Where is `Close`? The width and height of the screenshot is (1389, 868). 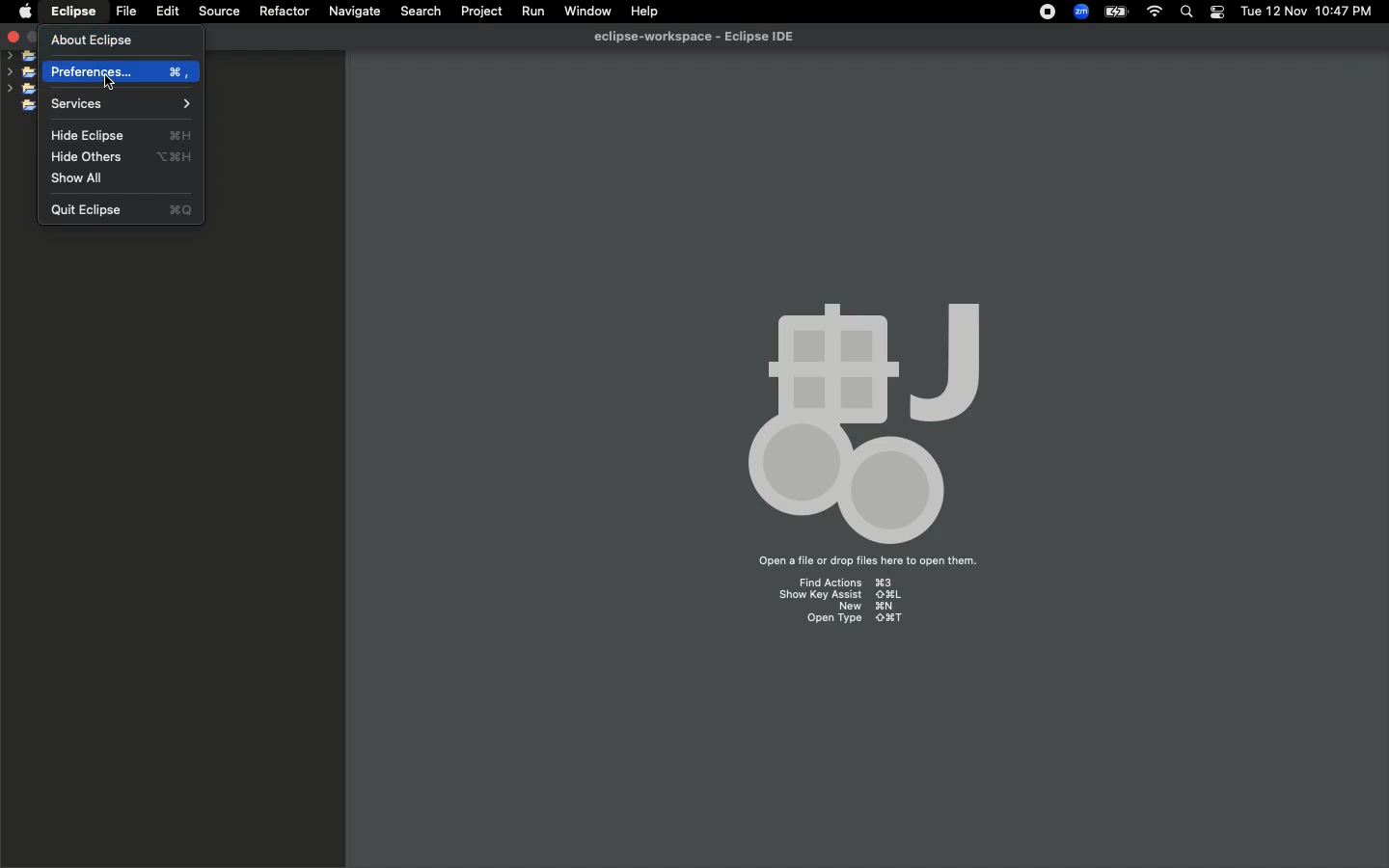
Close is located at coordinates (14, 34).